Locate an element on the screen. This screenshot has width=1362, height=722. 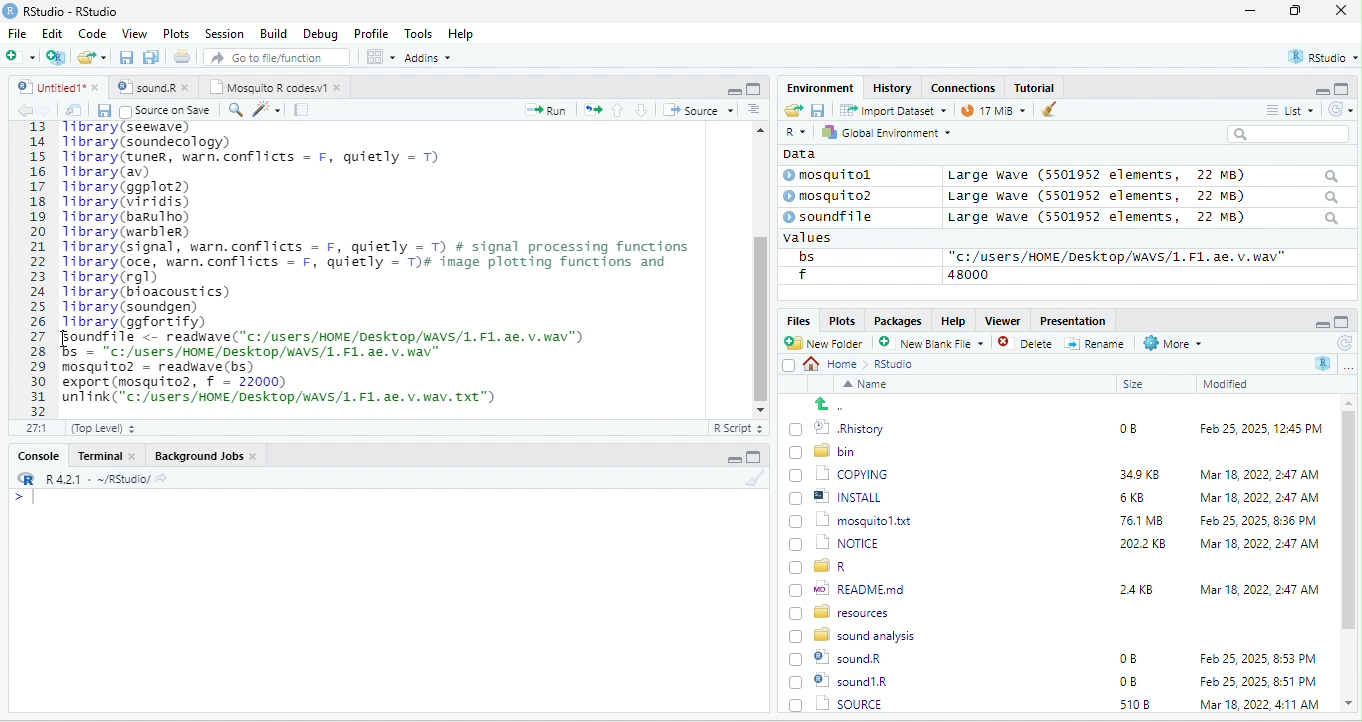
maximize is located at coordinates (1342, 322).